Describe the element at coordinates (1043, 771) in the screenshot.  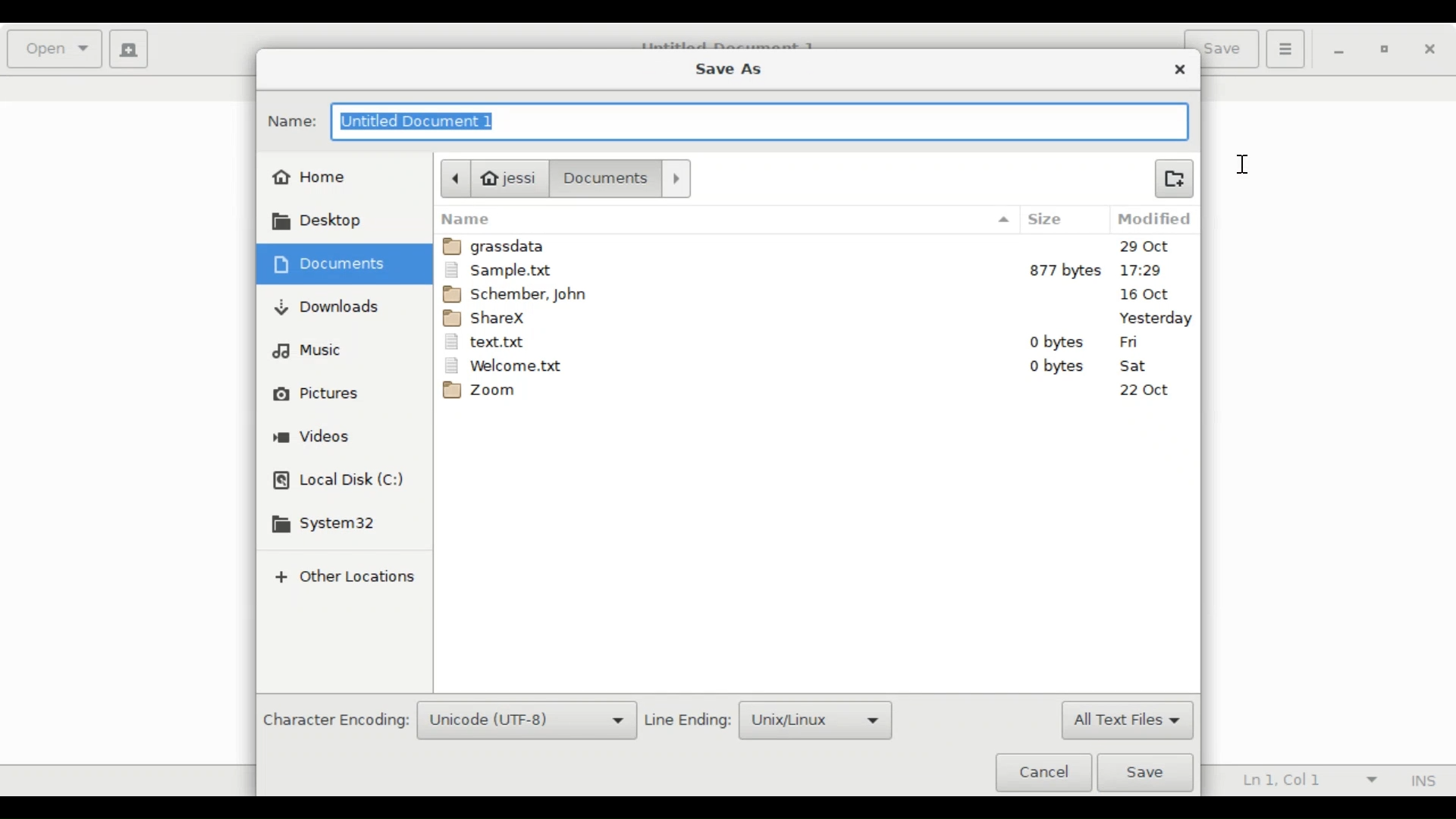
I see `Cancel` at that location.